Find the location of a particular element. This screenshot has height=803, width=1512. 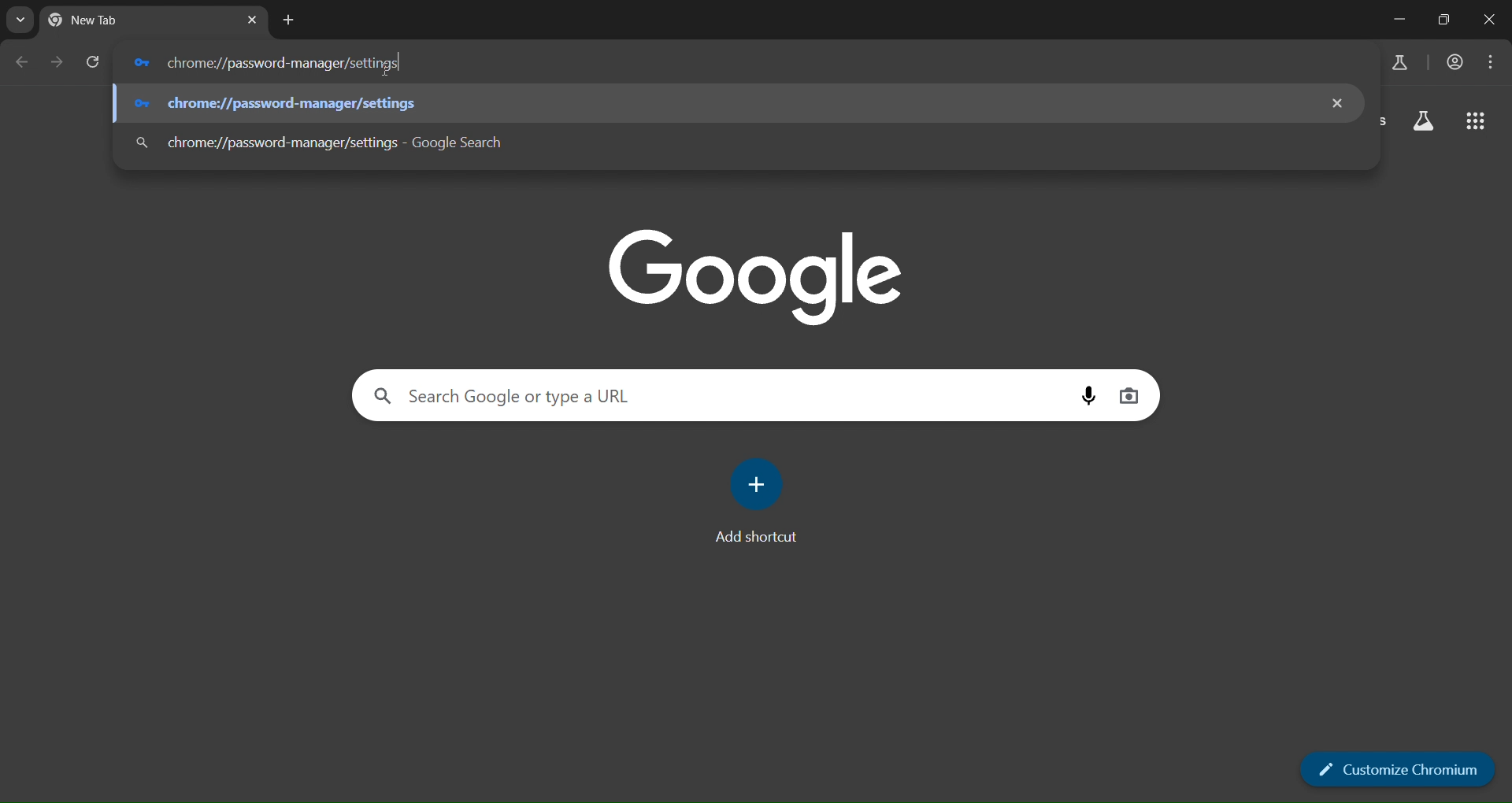

new tab is located at coordinates (139, 20).